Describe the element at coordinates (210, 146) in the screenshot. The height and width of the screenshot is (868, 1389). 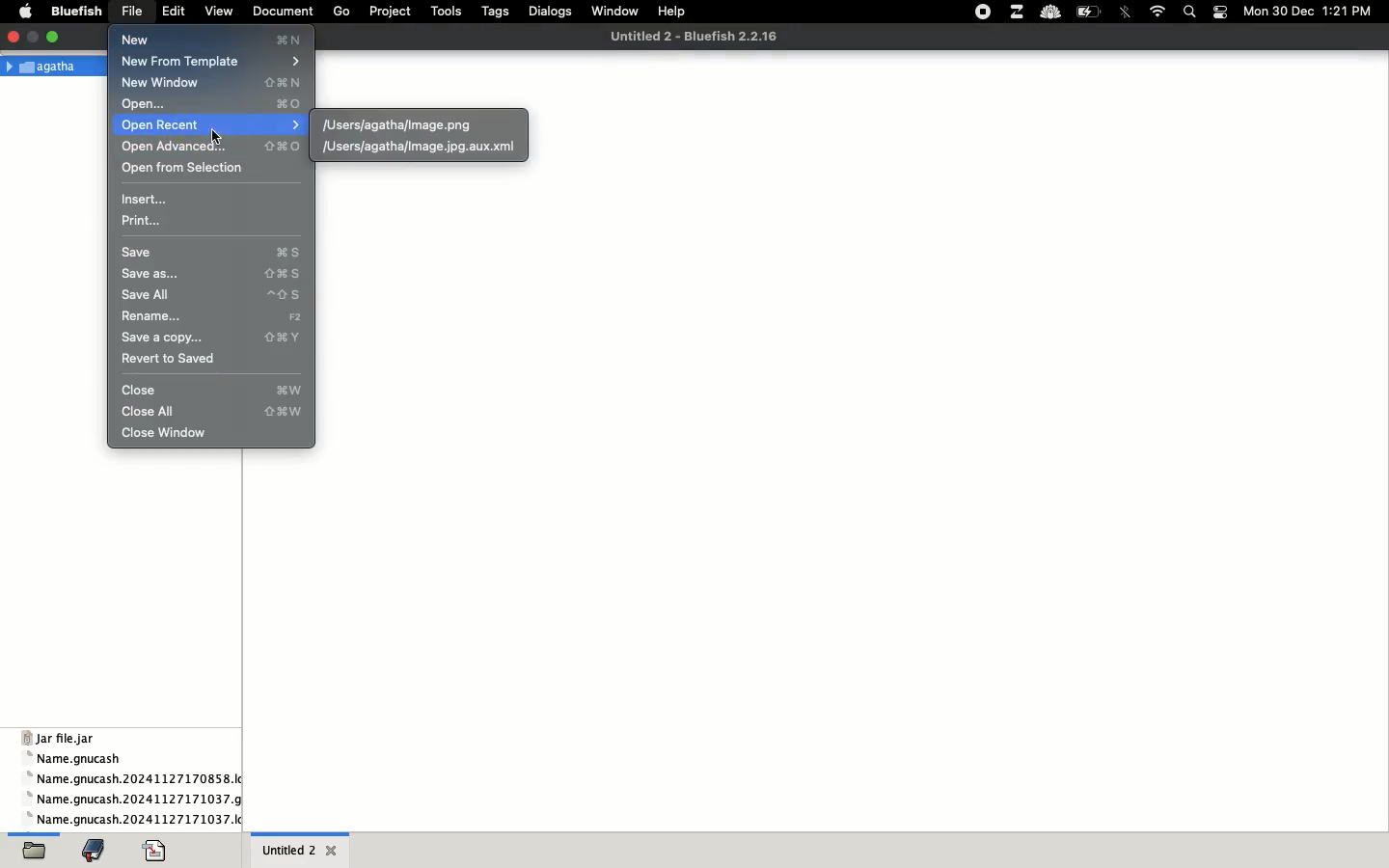
I see `open advanced` at that location.